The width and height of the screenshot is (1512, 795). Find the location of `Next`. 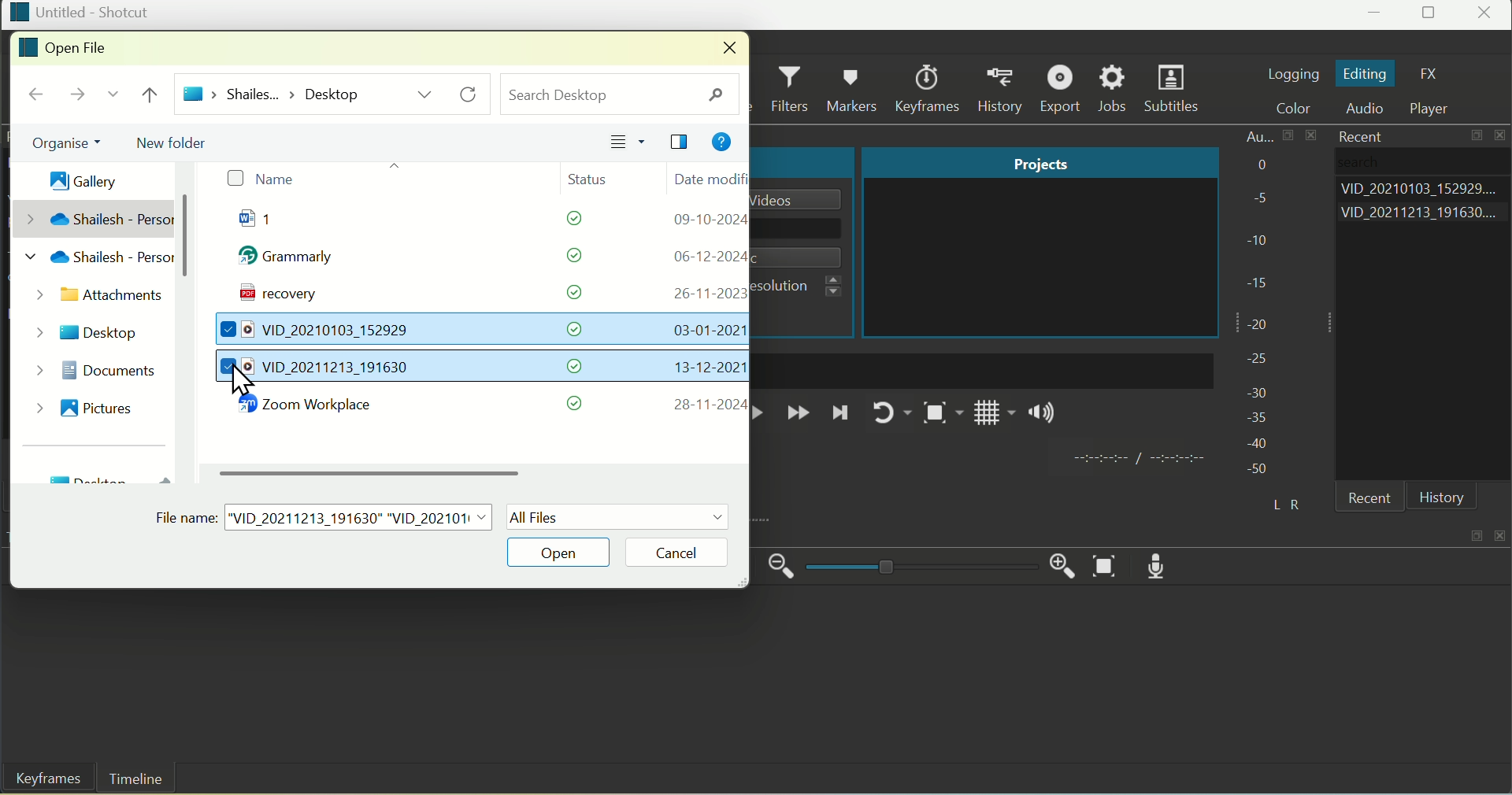

Next is located at coordinates (840, 417).